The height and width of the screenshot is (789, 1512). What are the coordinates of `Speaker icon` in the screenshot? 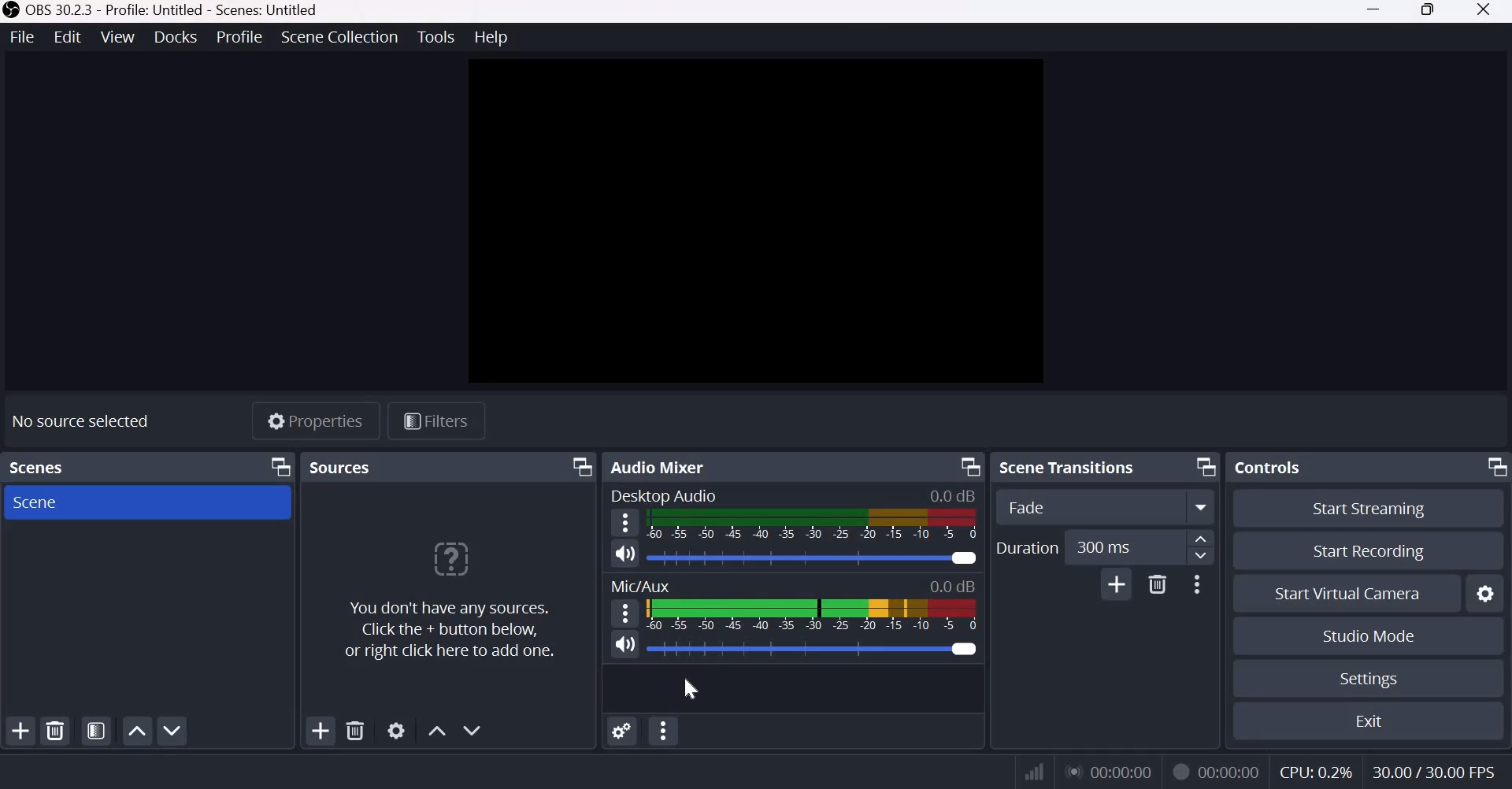 It's located at (626, 643).